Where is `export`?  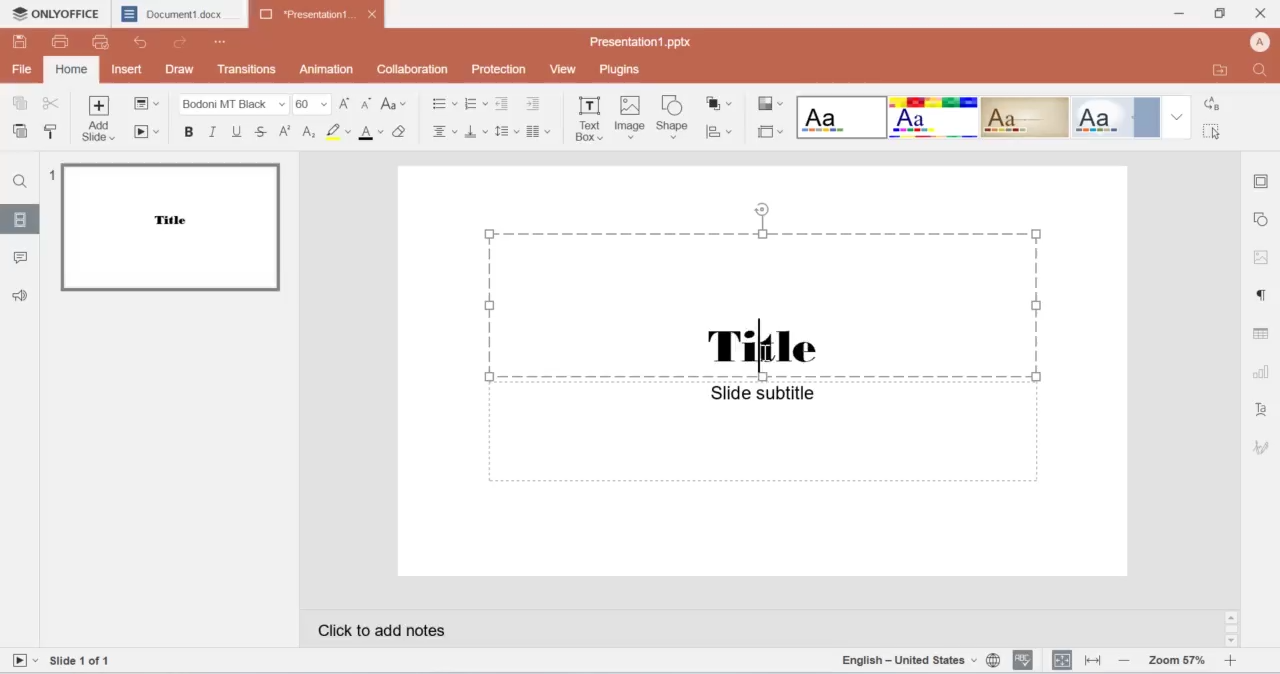 export is located at coordinates (1223, 70).